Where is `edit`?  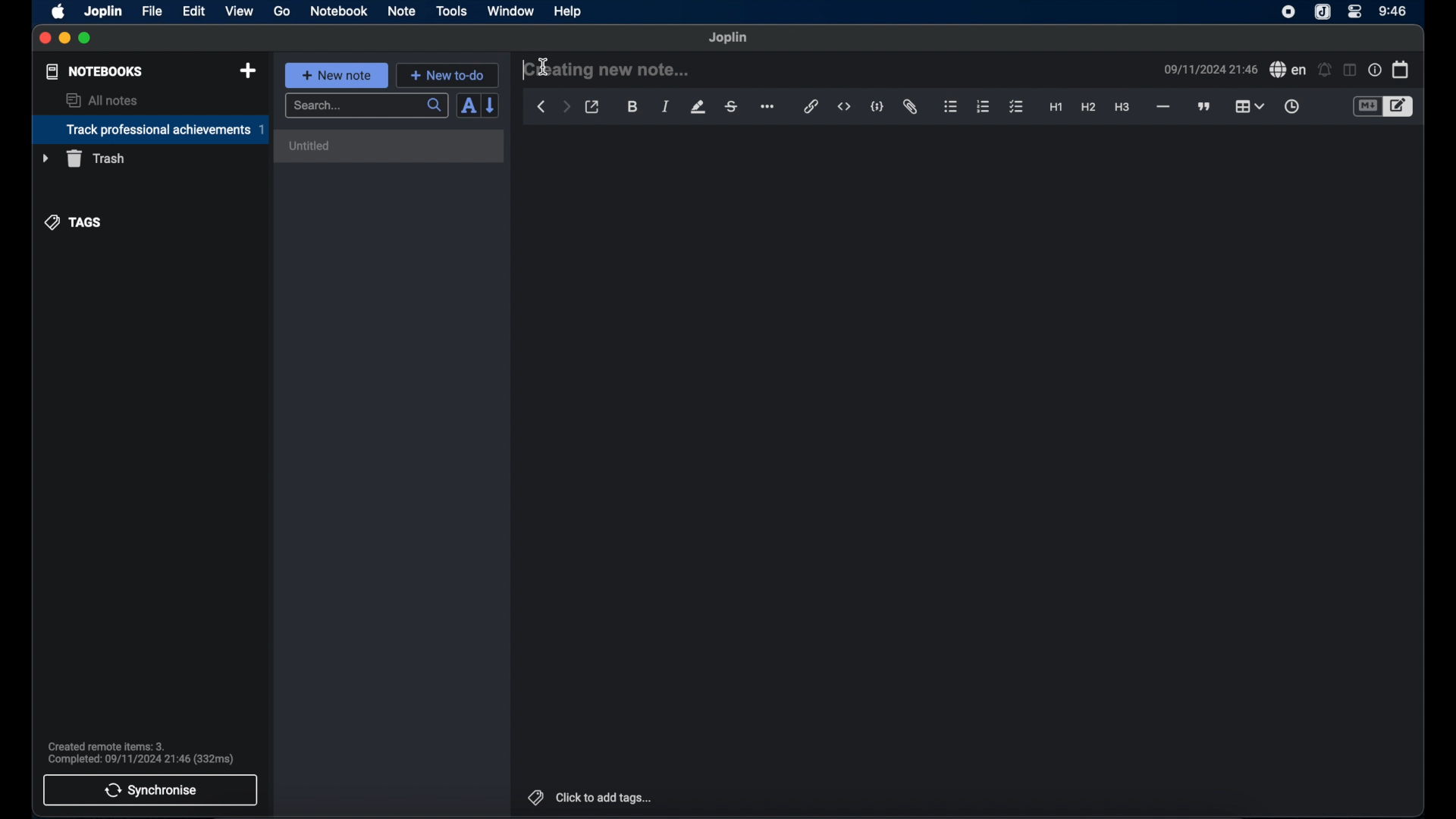
edit is located at coordinates (195, 11).